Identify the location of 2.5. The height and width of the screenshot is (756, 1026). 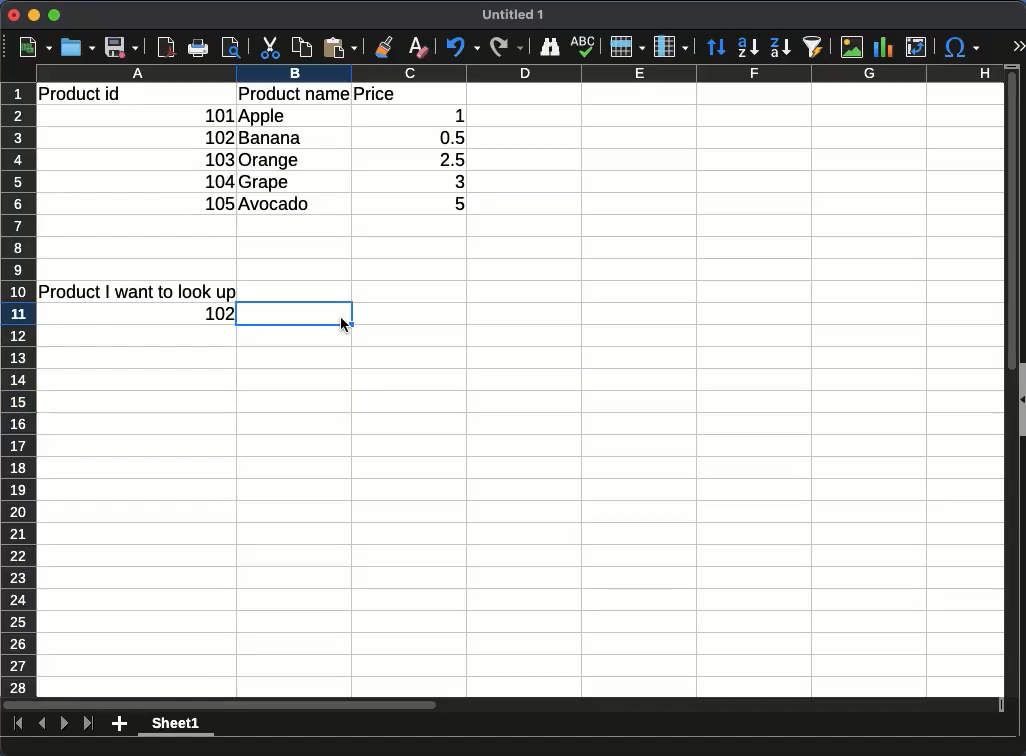
(444, 159).